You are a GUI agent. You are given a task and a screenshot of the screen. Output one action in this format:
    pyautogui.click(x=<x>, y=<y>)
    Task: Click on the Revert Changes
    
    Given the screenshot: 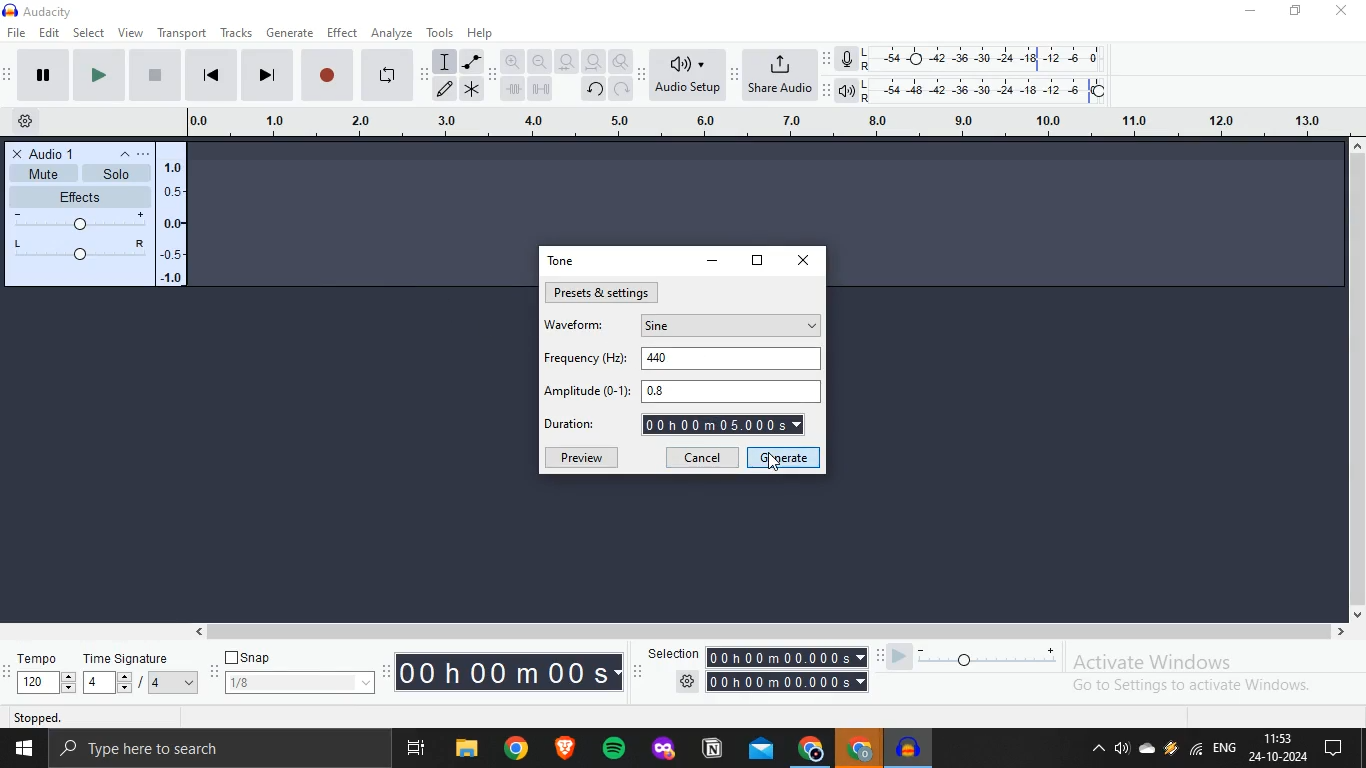 What is the action you would take?
    pyautogui.click(x=593, y=89)
    